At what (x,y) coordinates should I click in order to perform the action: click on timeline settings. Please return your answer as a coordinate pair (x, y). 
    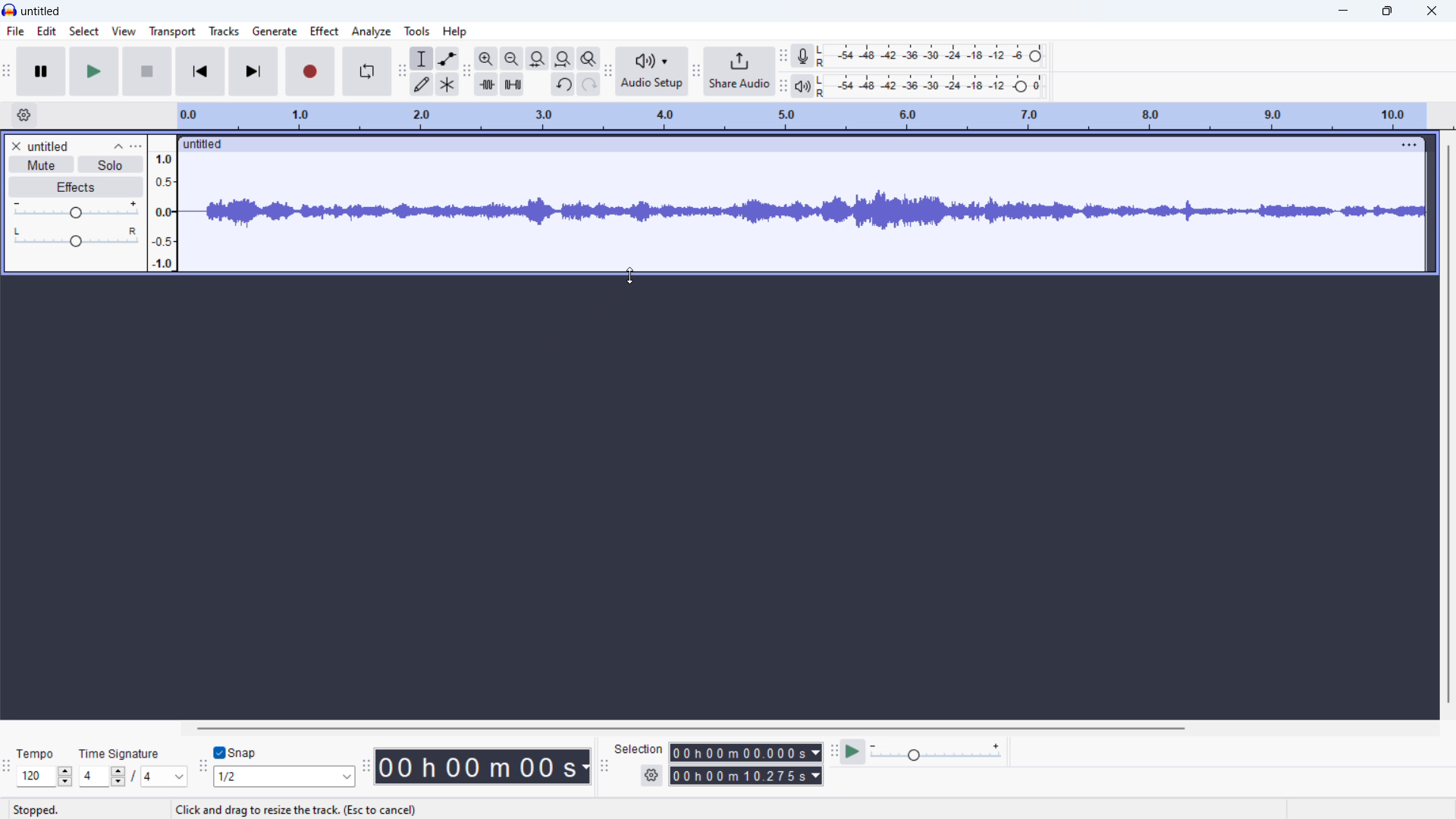
    Looking at the image, I should click on (24, 115).